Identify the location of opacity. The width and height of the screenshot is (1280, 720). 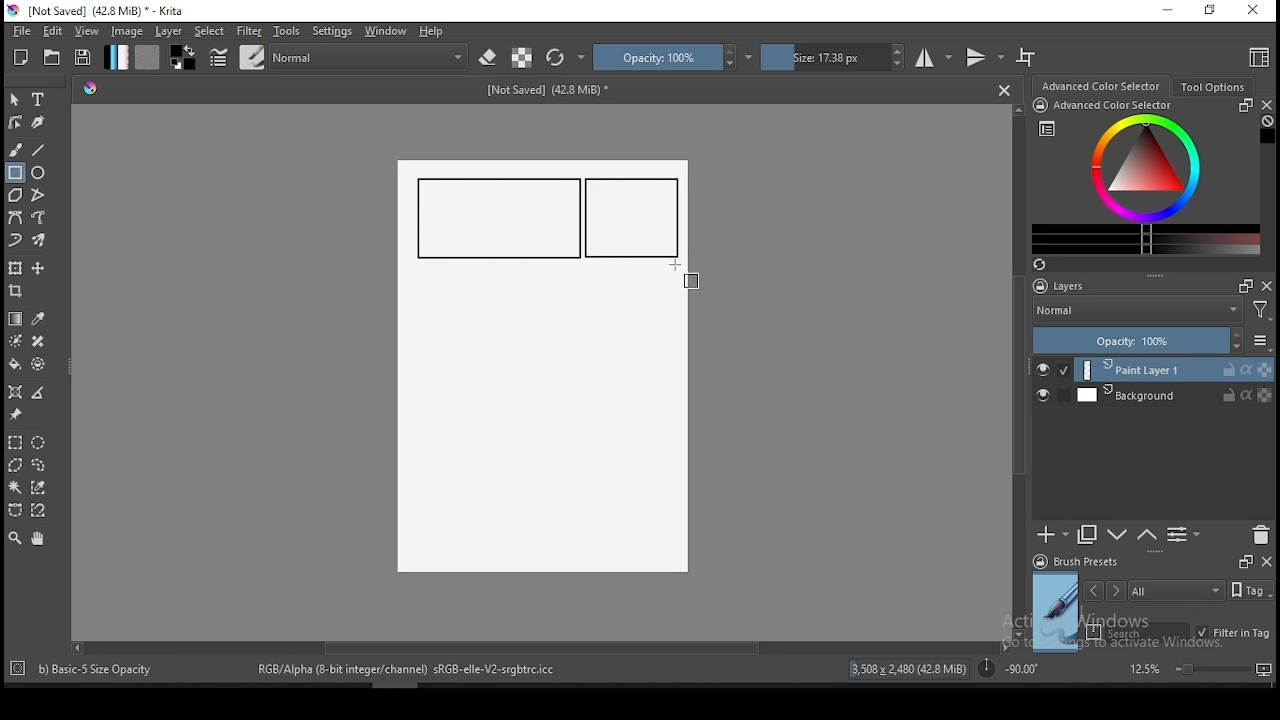
(1150, 342).